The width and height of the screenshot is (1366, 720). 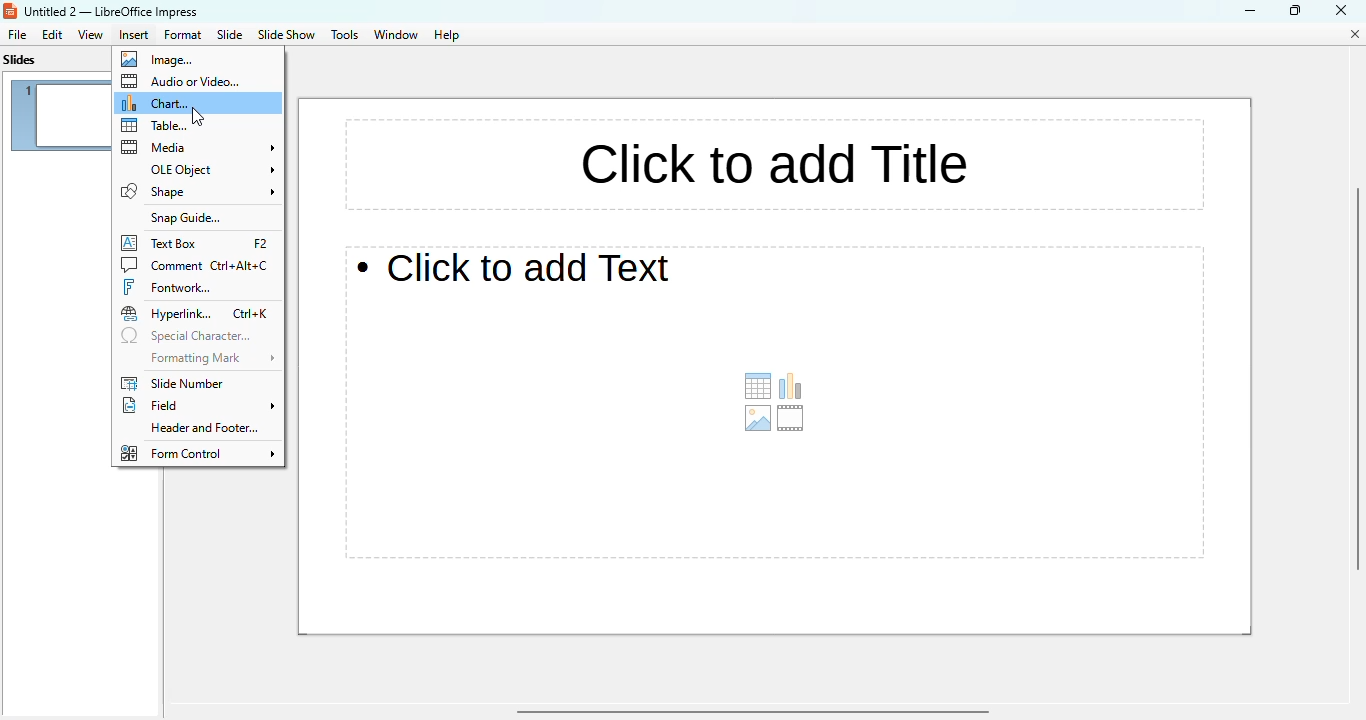 What do you see at coordinates (396, 34) in the screenshot?
I see `window` at bounding box center [396, 34].